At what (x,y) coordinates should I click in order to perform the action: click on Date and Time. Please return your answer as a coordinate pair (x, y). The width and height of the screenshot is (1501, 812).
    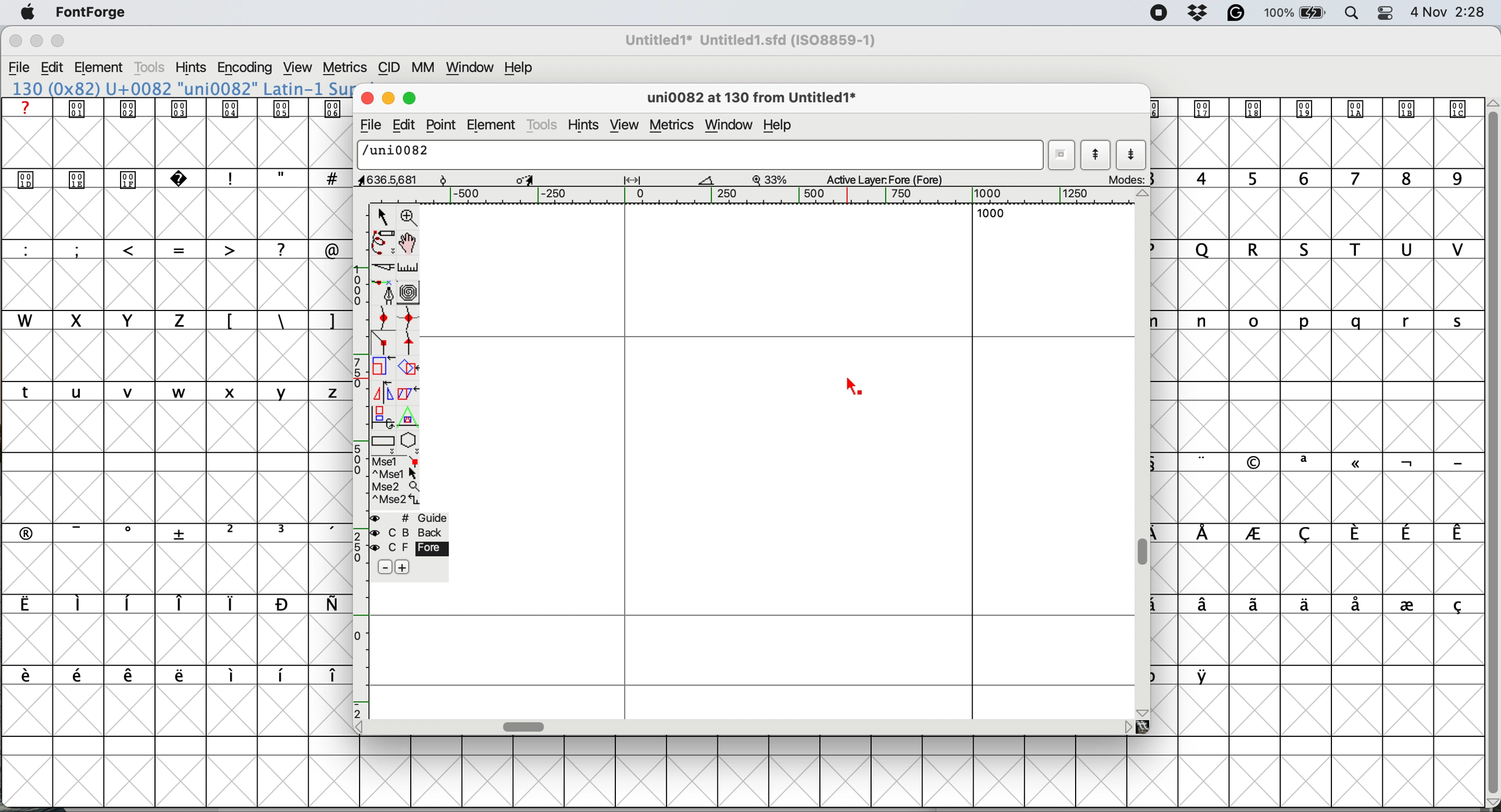
    Looking at the image, I should click on (1453, 12).